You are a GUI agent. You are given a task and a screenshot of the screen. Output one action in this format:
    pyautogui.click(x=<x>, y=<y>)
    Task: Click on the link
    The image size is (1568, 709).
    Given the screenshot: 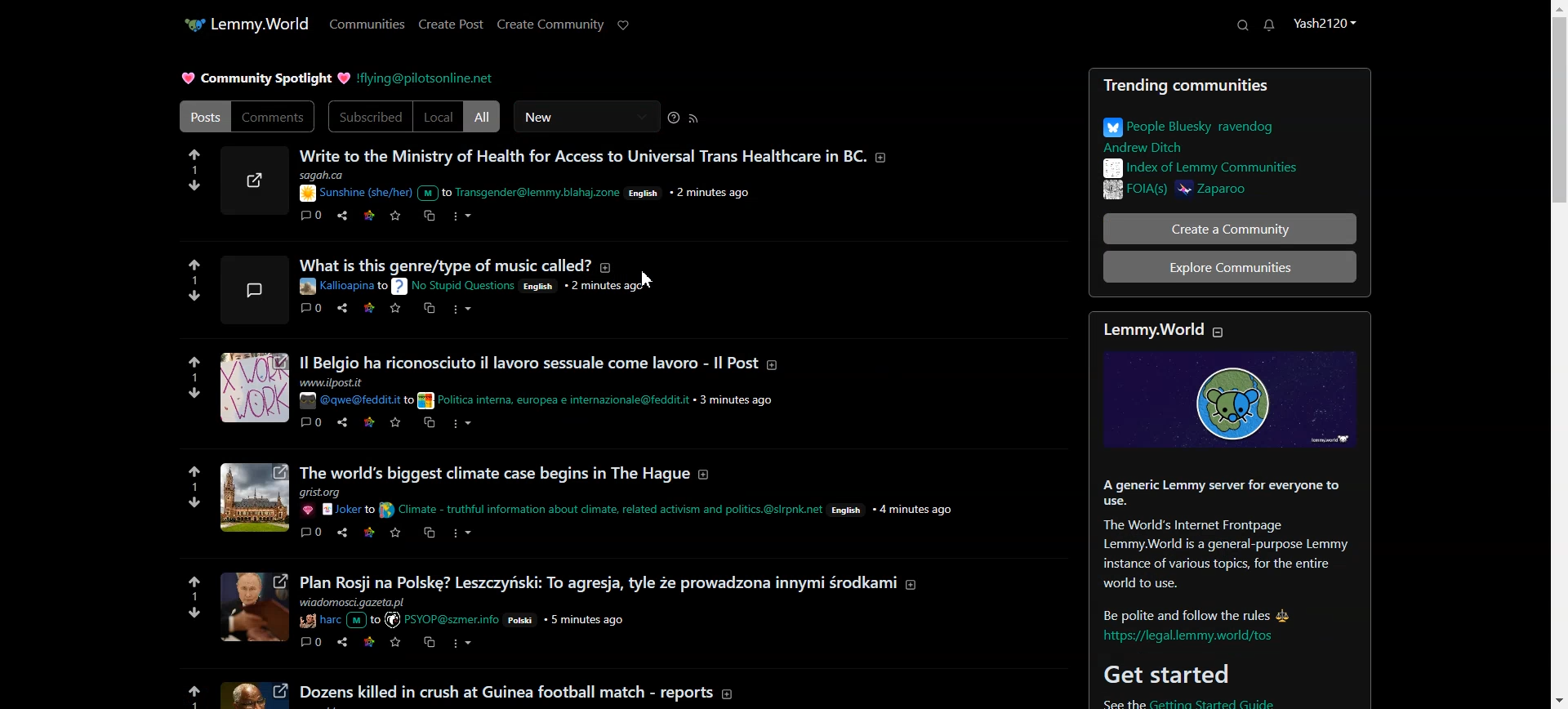 What is the action you would take?
    pyautogui.click(x=369, y=642)
    